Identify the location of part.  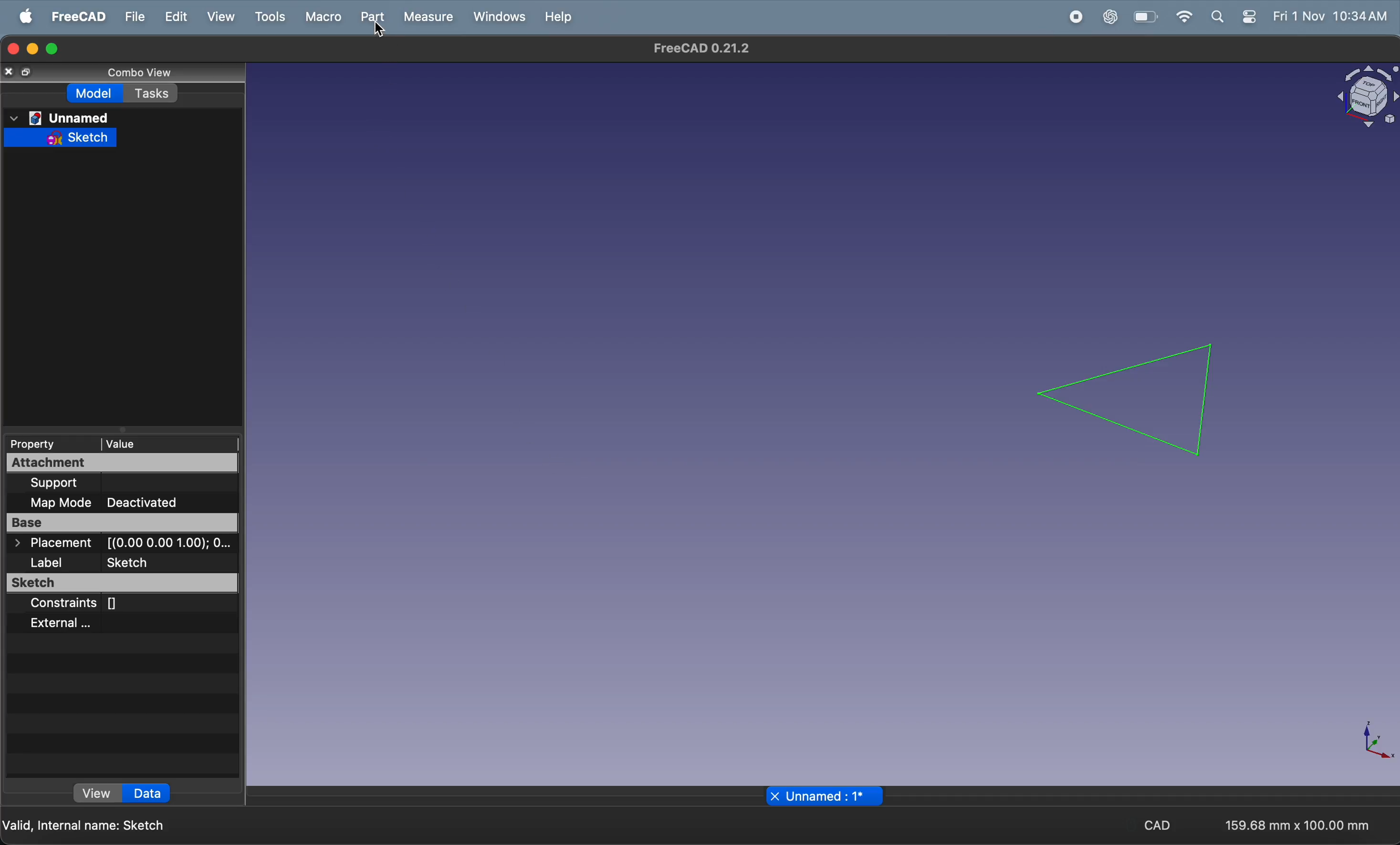
(375, 17).